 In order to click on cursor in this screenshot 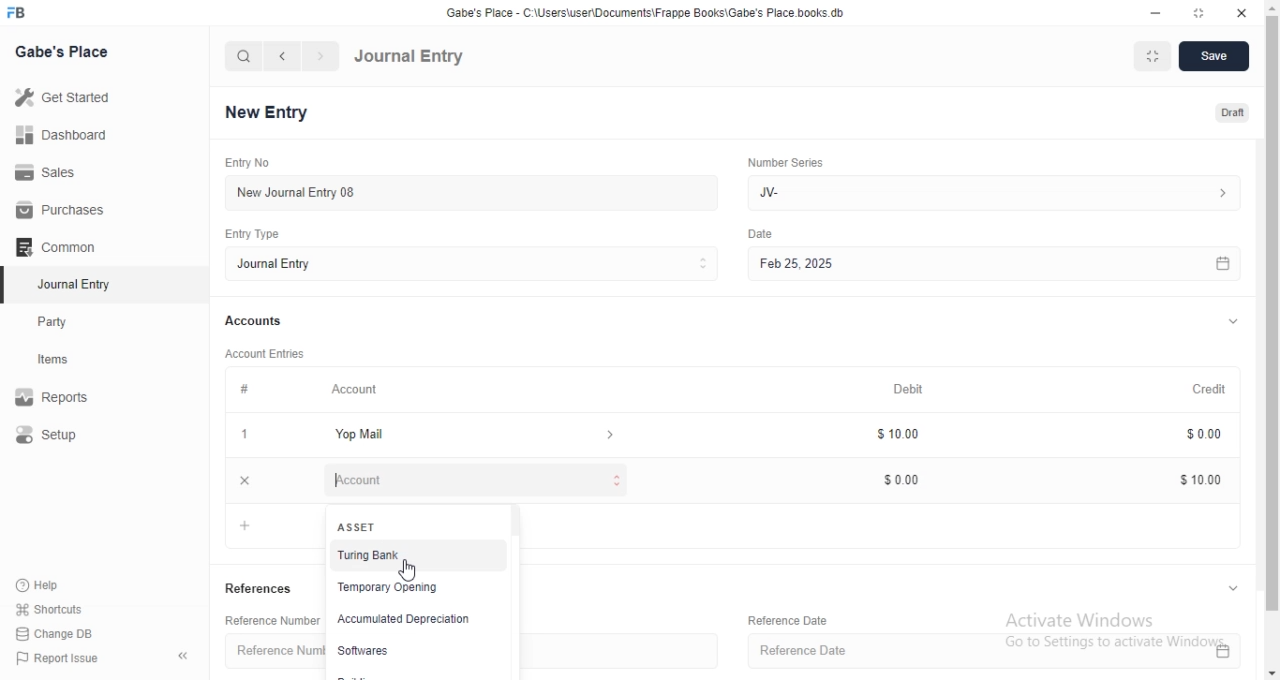, I will do `click(410, 569)`.